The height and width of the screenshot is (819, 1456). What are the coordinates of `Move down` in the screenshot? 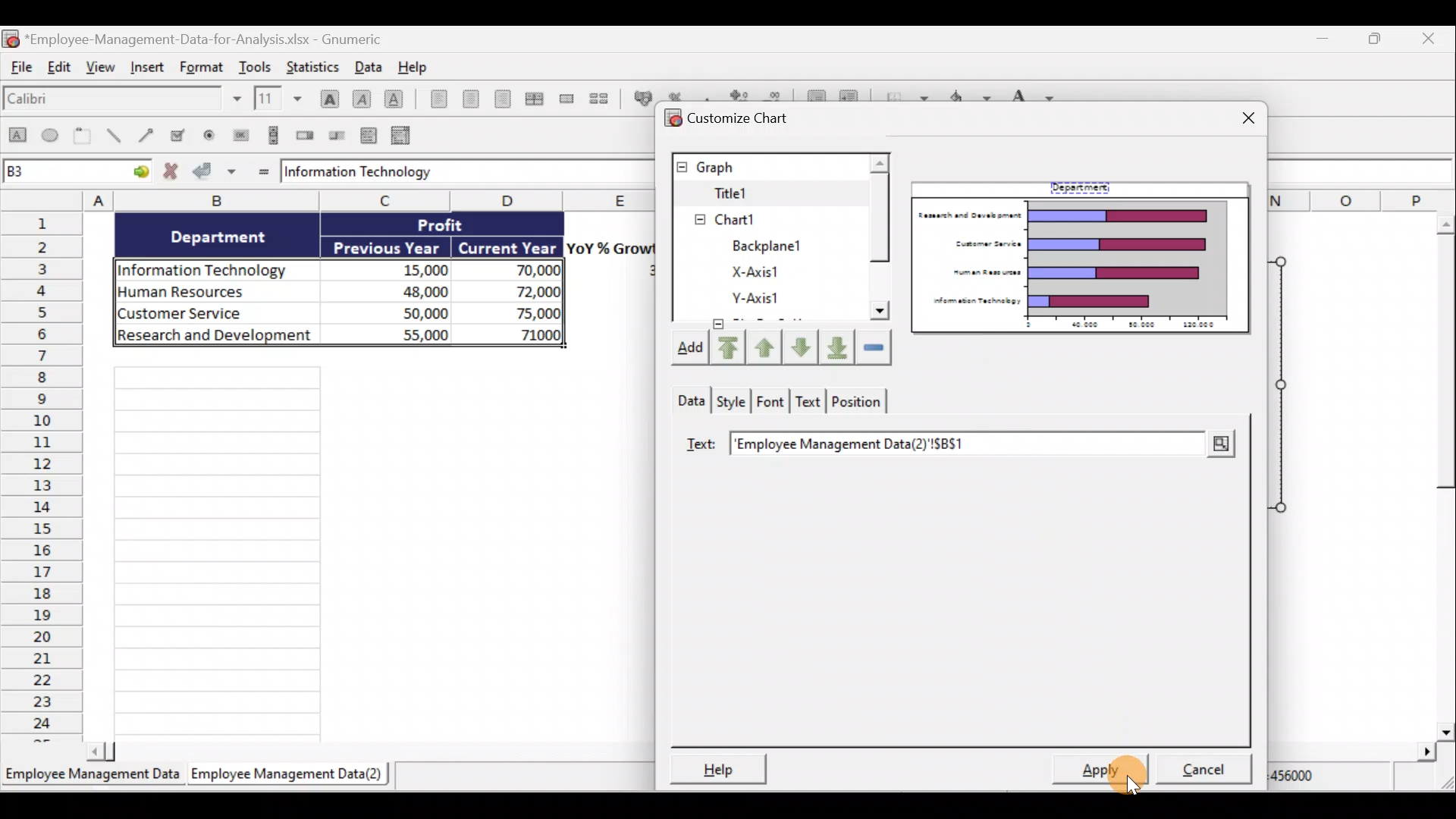 It's located at (802, 350).